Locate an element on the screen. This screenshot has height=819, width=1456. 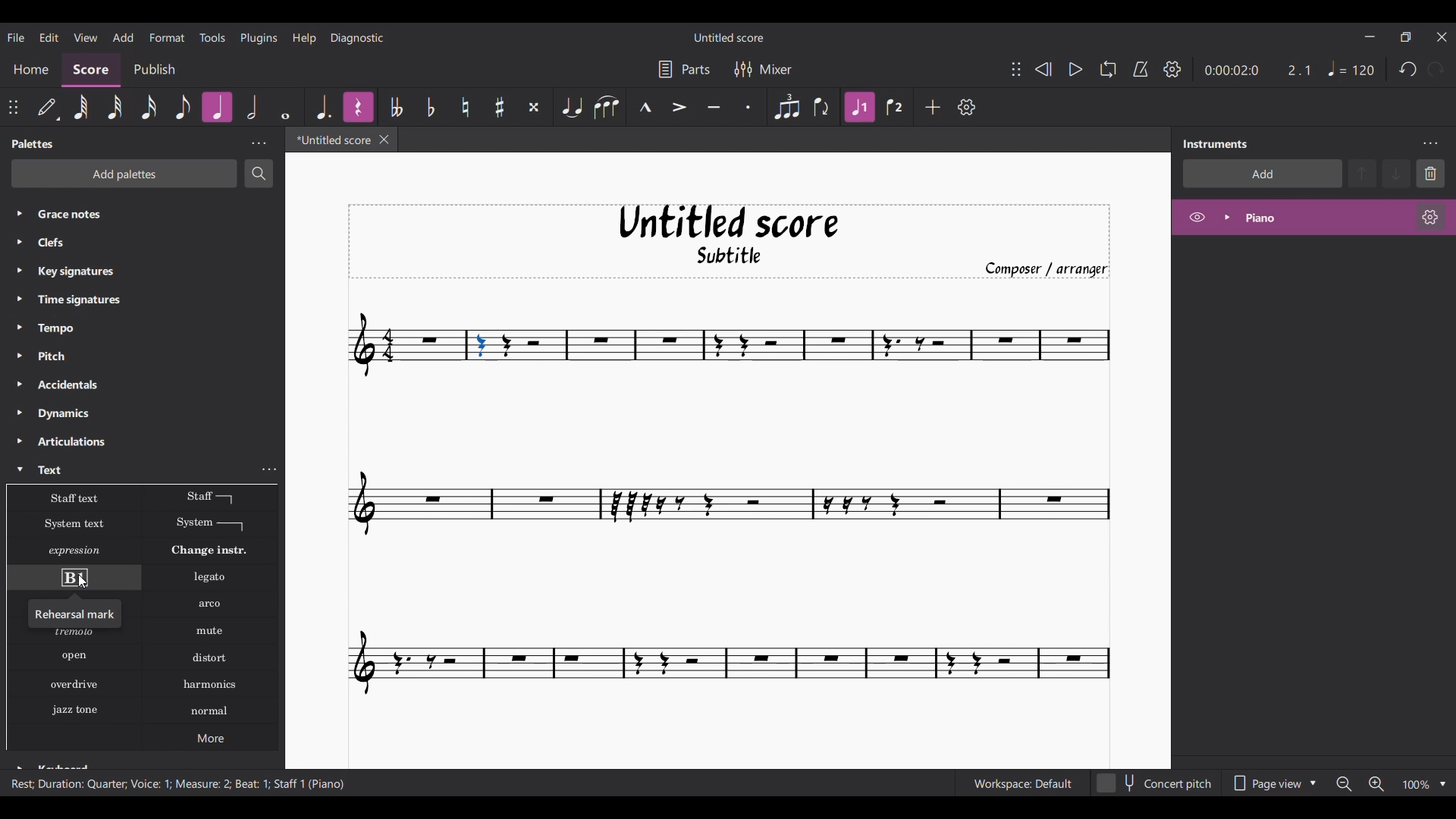
Current tab is located at coordinates (331, 140).